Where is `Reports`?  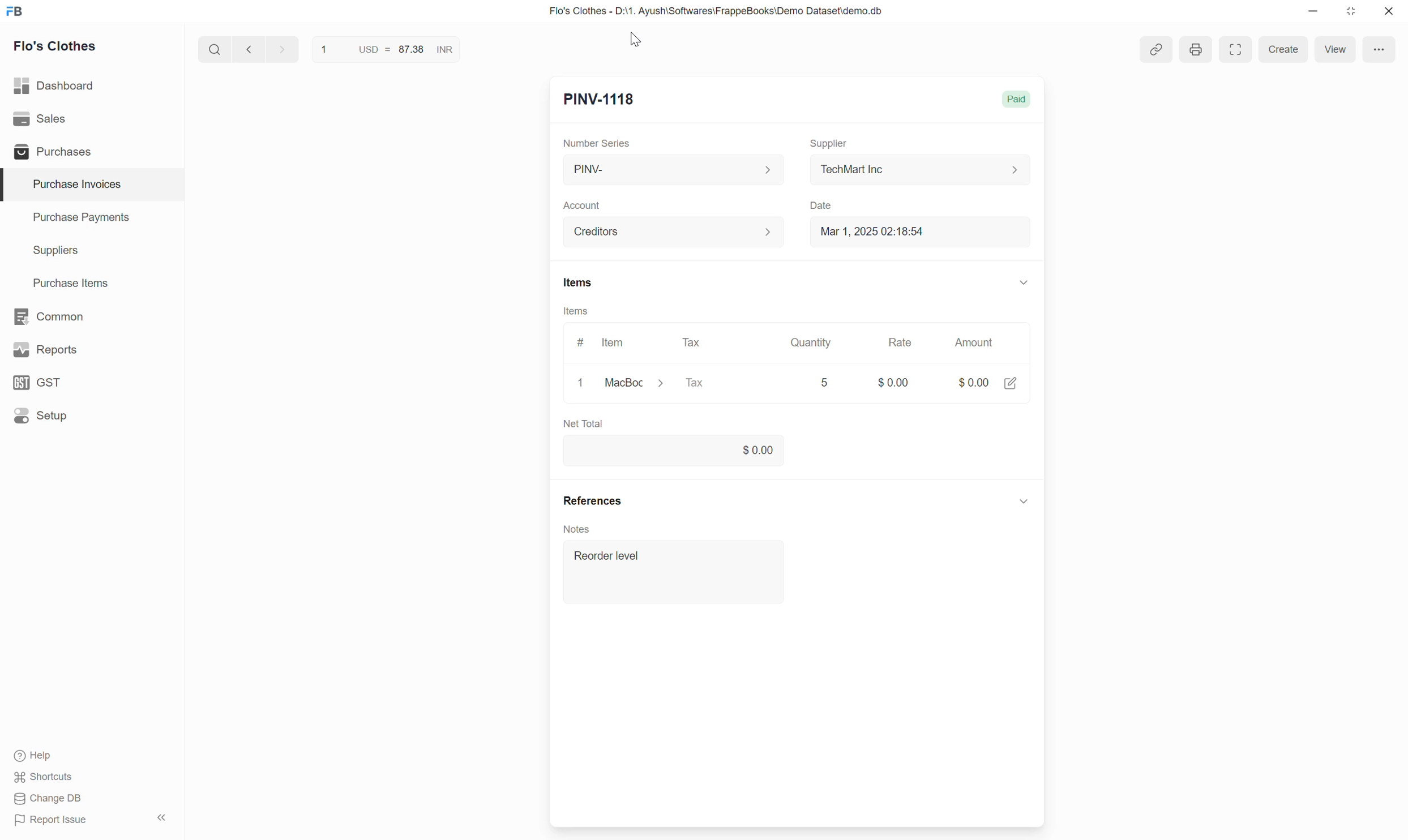 Reports is located at coordinates (92, 350).